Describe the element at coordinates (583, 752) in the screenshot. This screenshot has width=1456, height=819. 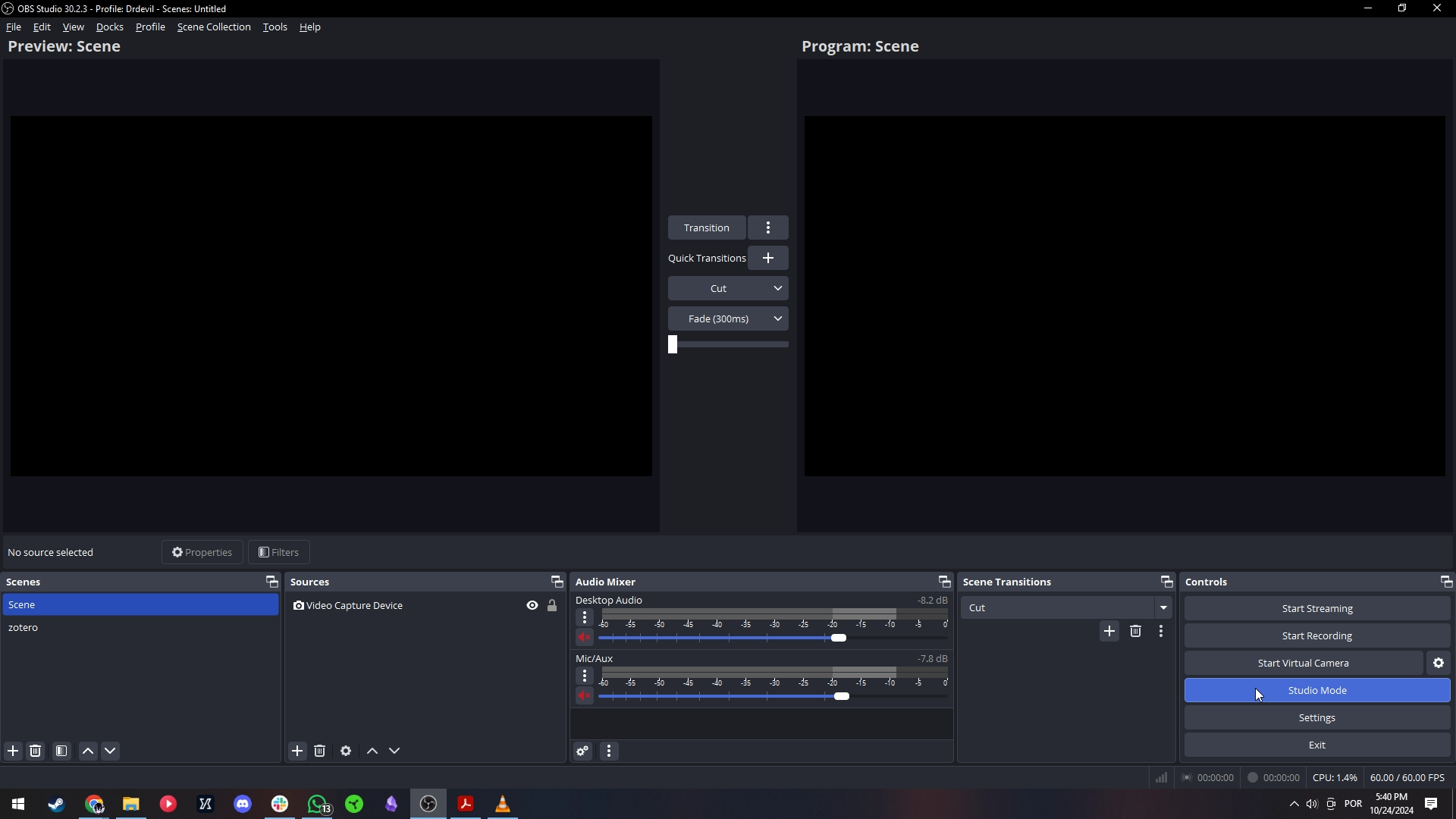
I see `Advanced audio properties` at that location.